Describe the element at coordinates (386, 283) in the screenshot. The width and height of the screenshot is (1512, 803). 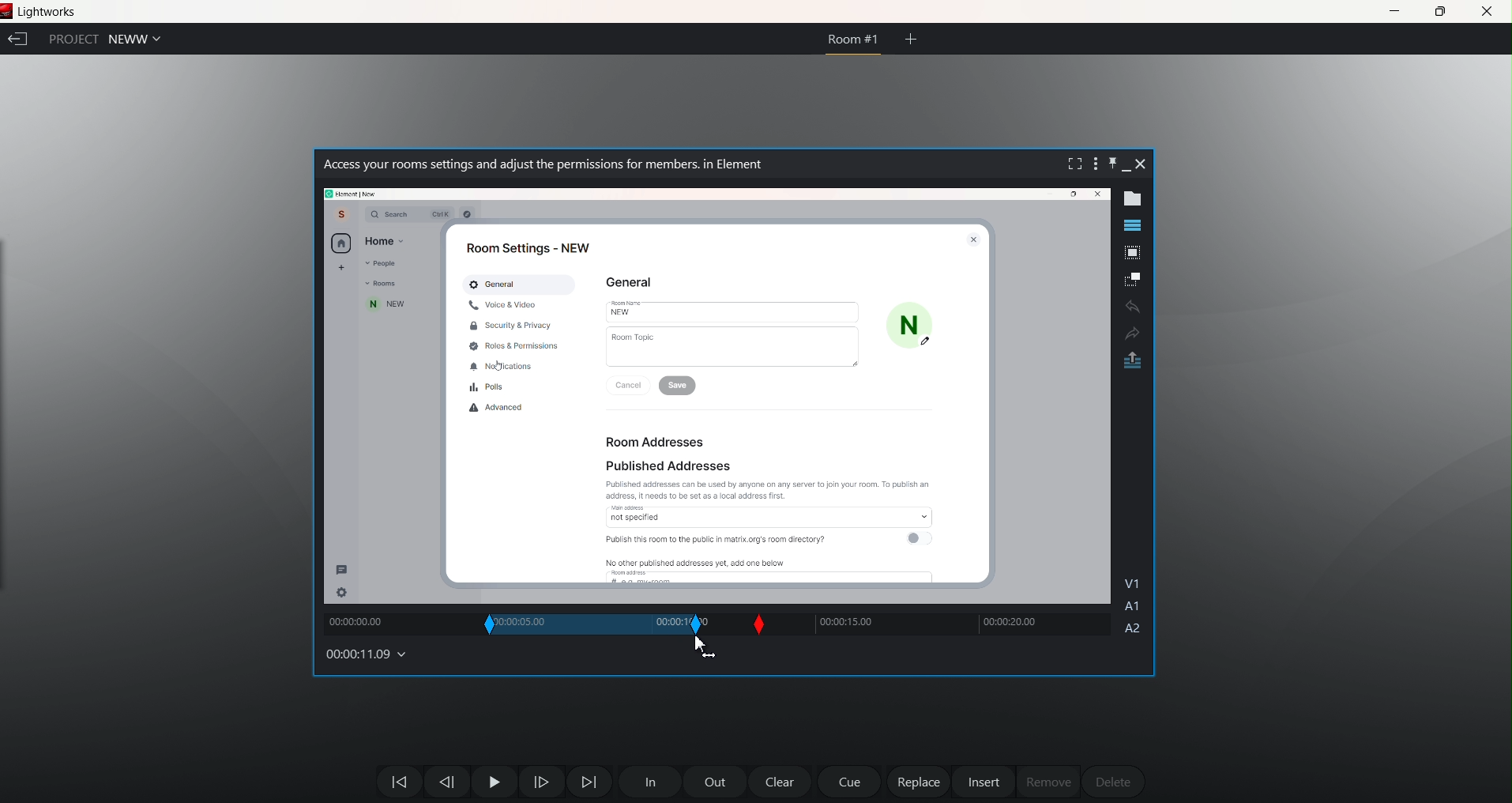
I see `Room` at that location.